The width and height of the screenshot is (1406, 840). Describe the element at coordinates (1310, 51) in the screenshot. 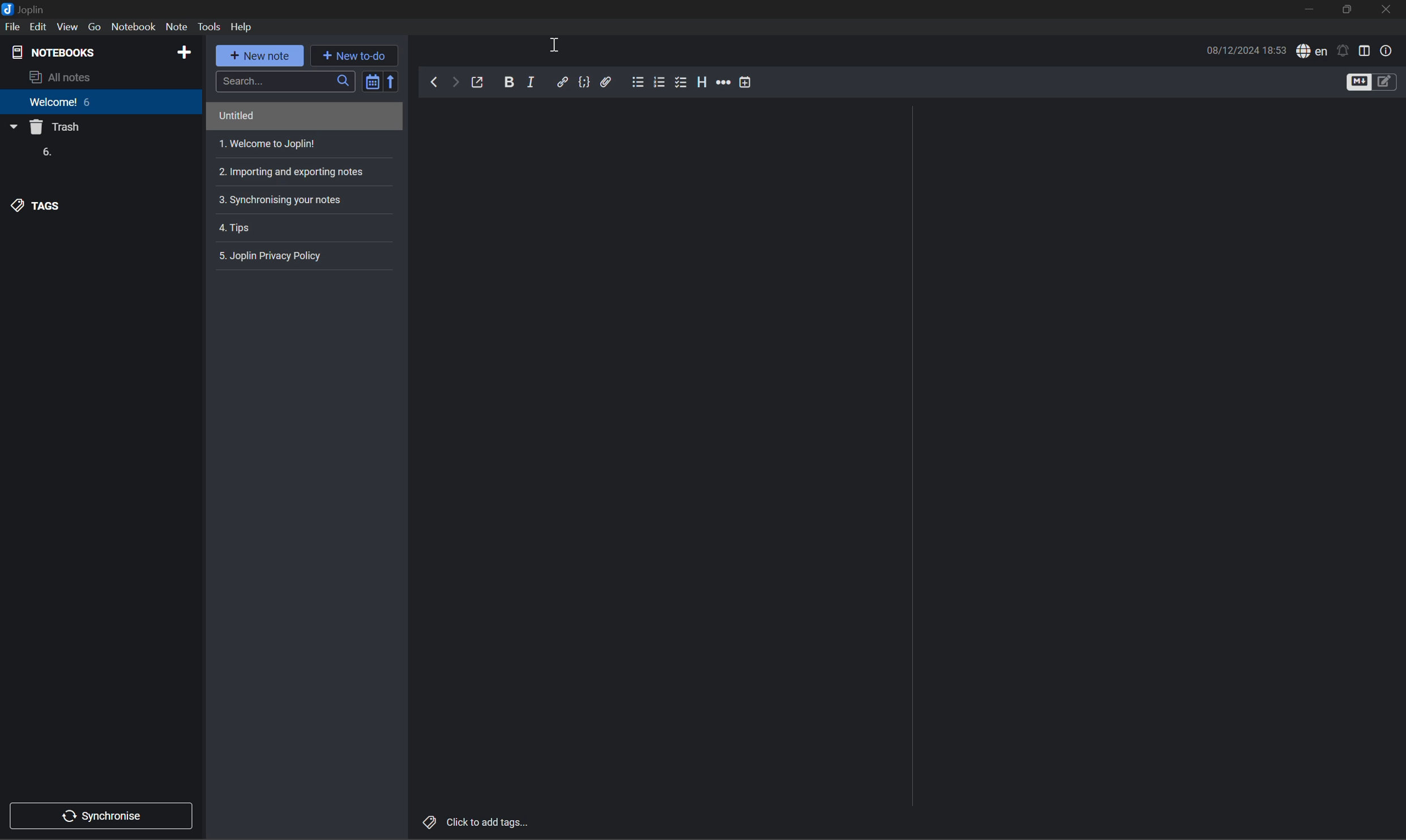

I see `Spell checker` at that location.